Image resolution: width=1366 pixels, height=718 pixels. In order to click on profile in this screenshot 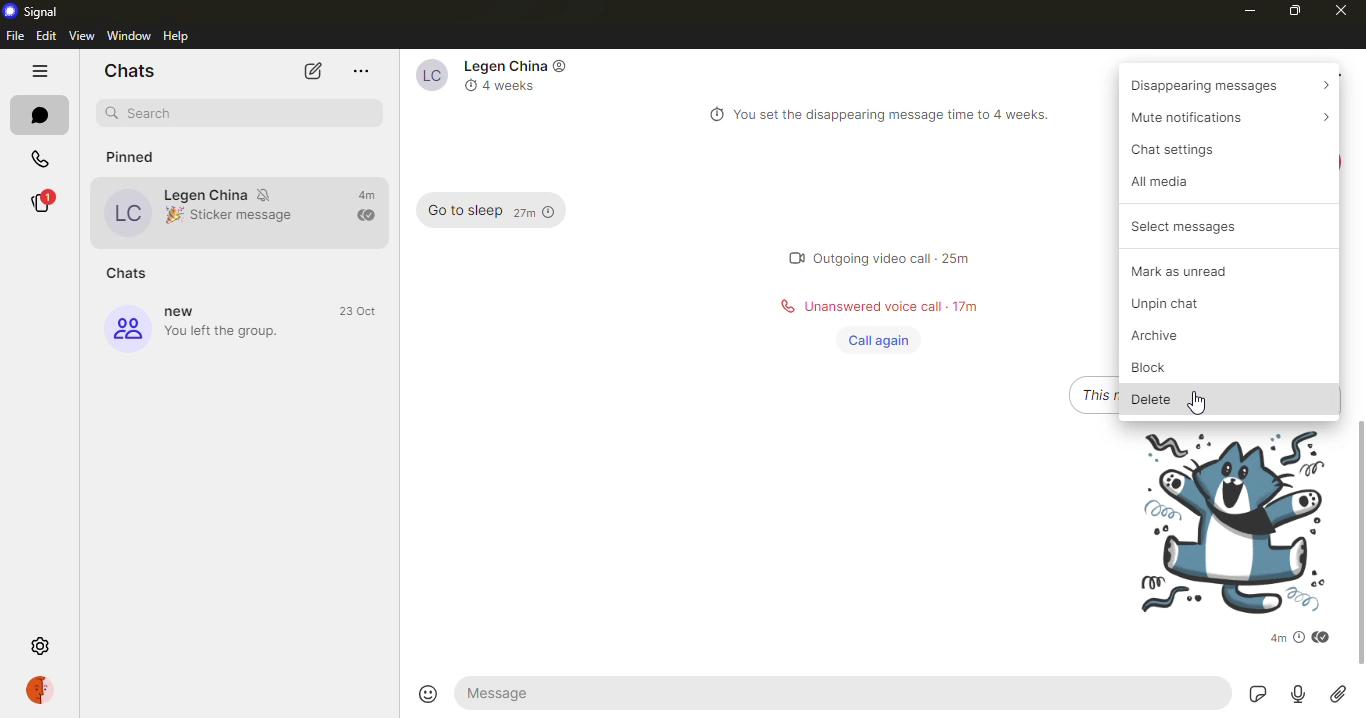, I will do `click(126, 329)`.